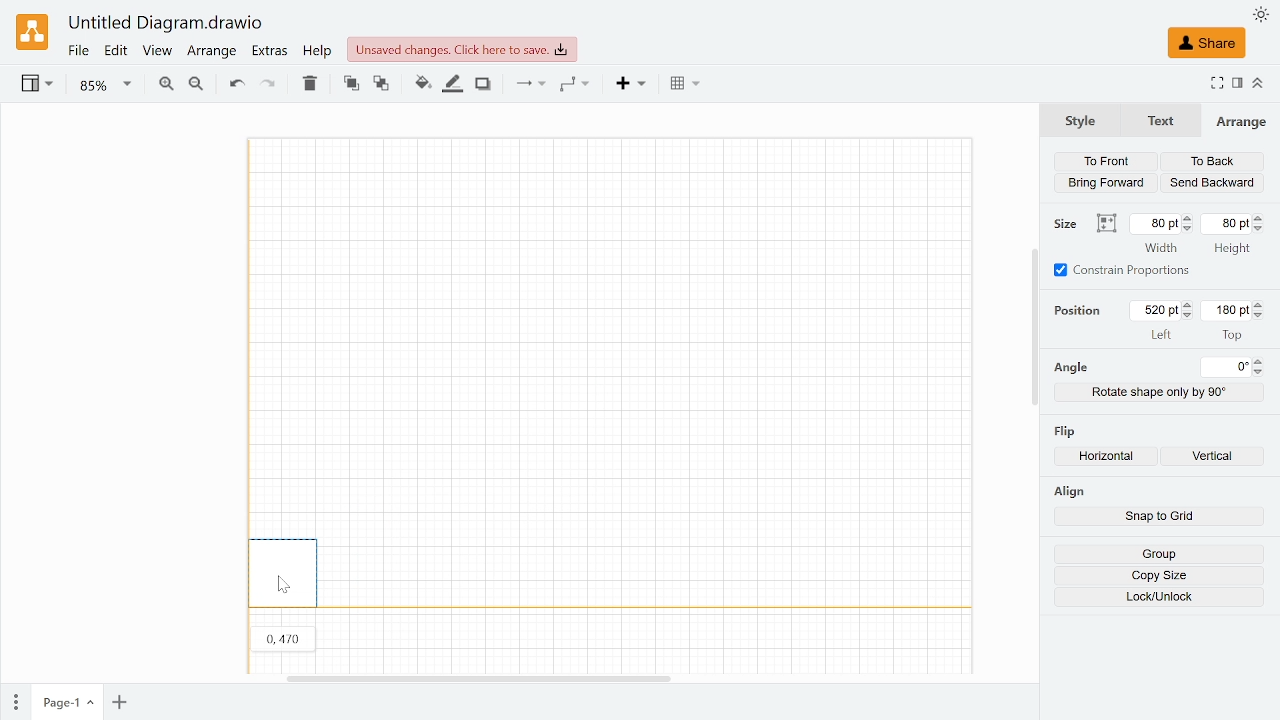 The height and width of the screenshot is (720, 1280). Describe the element at coordinates (1190, 305) in the screenshot. I see `Increase left` at that location.